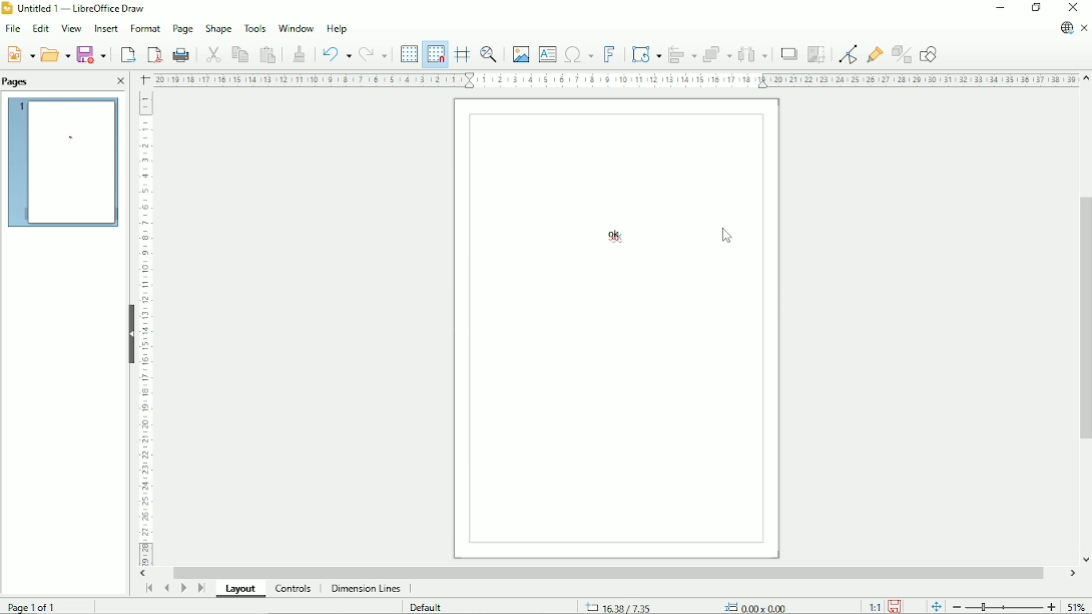 This screenshot has width=1092, height=614. I want to click on Shape, so click(218, 28).